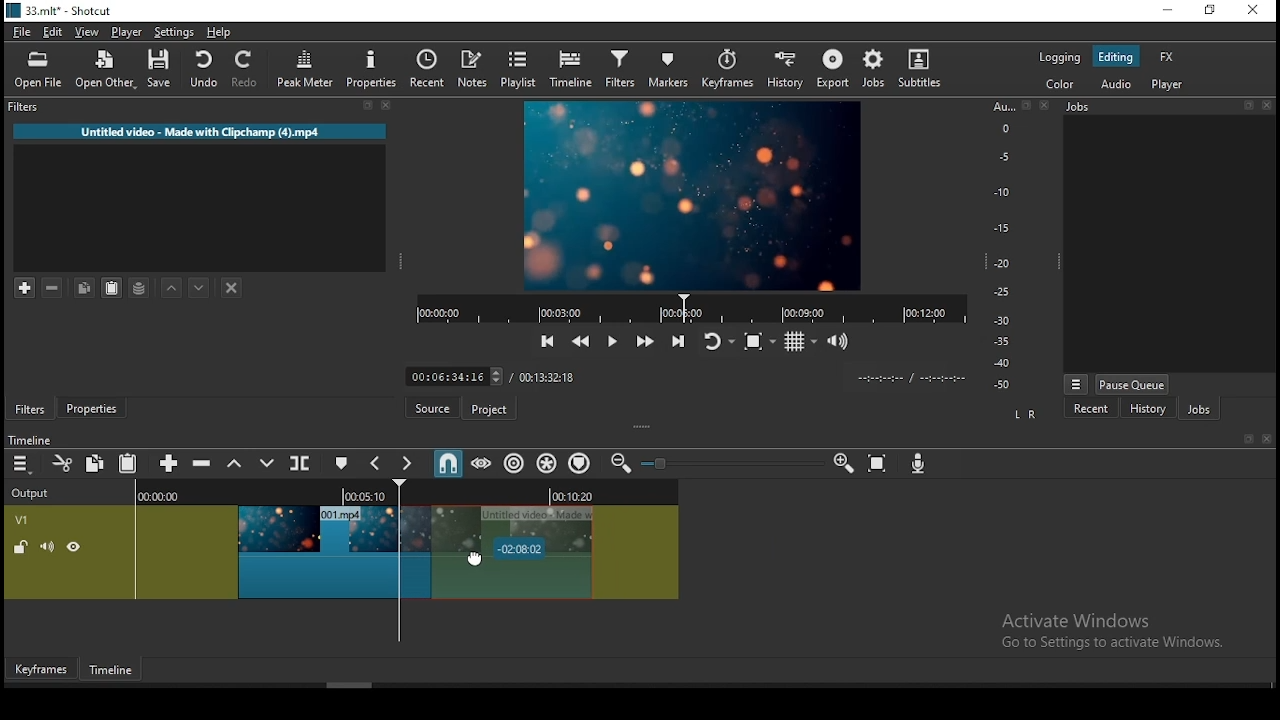 This screenshot has height=720, width=1280. I want to click on paste filter, so click(110, 287).